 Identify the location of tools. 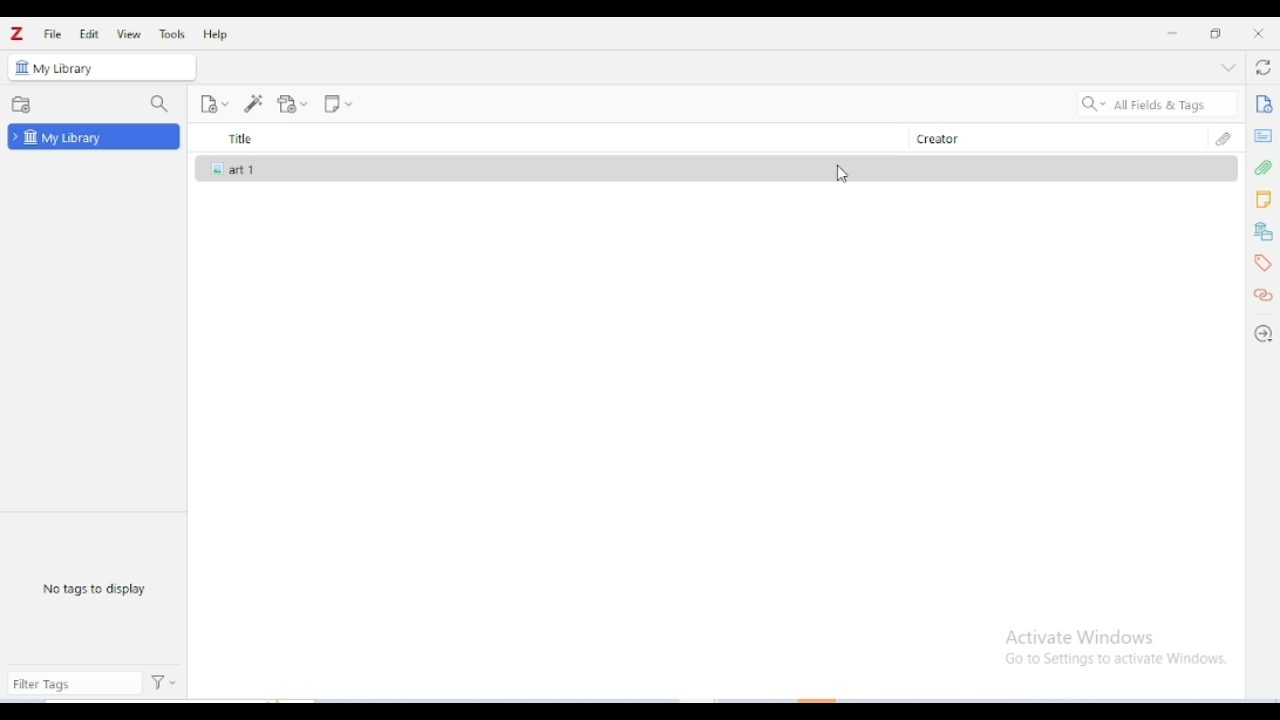
(173, 33).